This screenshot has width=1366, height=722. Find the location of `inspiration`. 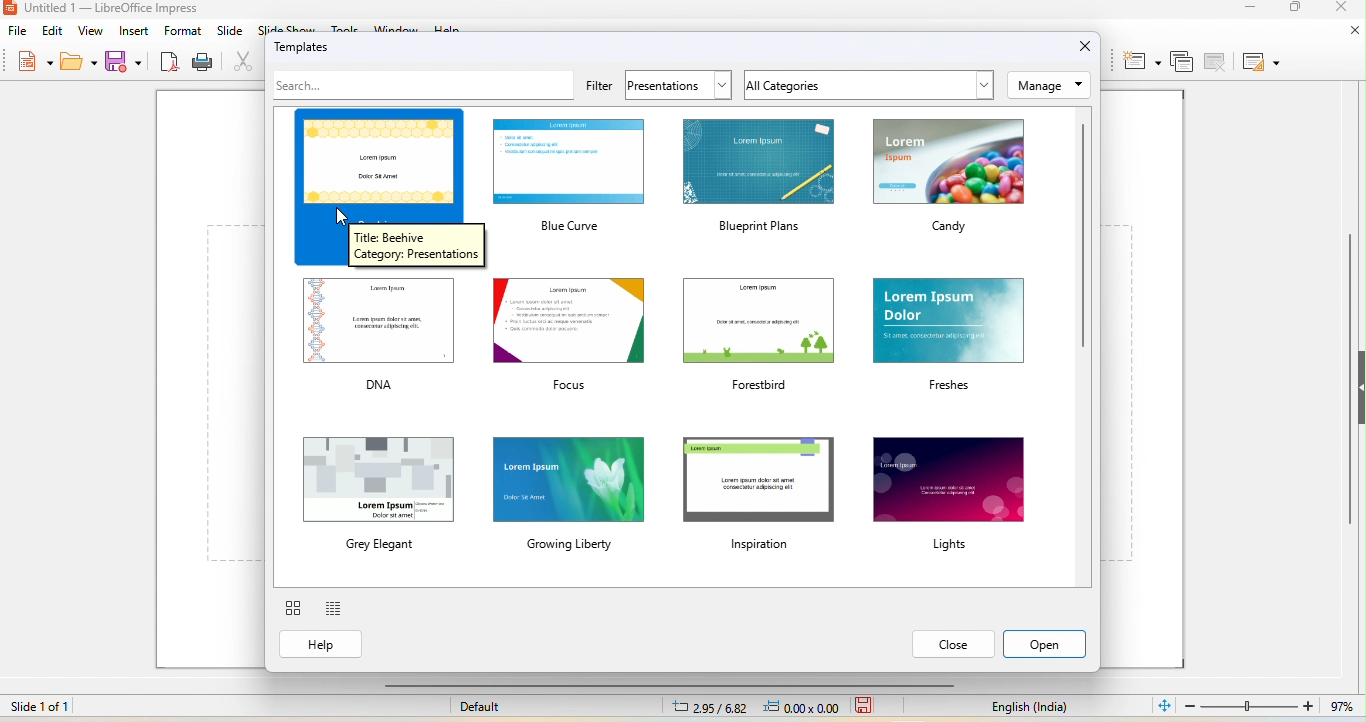

inspiration is located at coordinates (758, 491).